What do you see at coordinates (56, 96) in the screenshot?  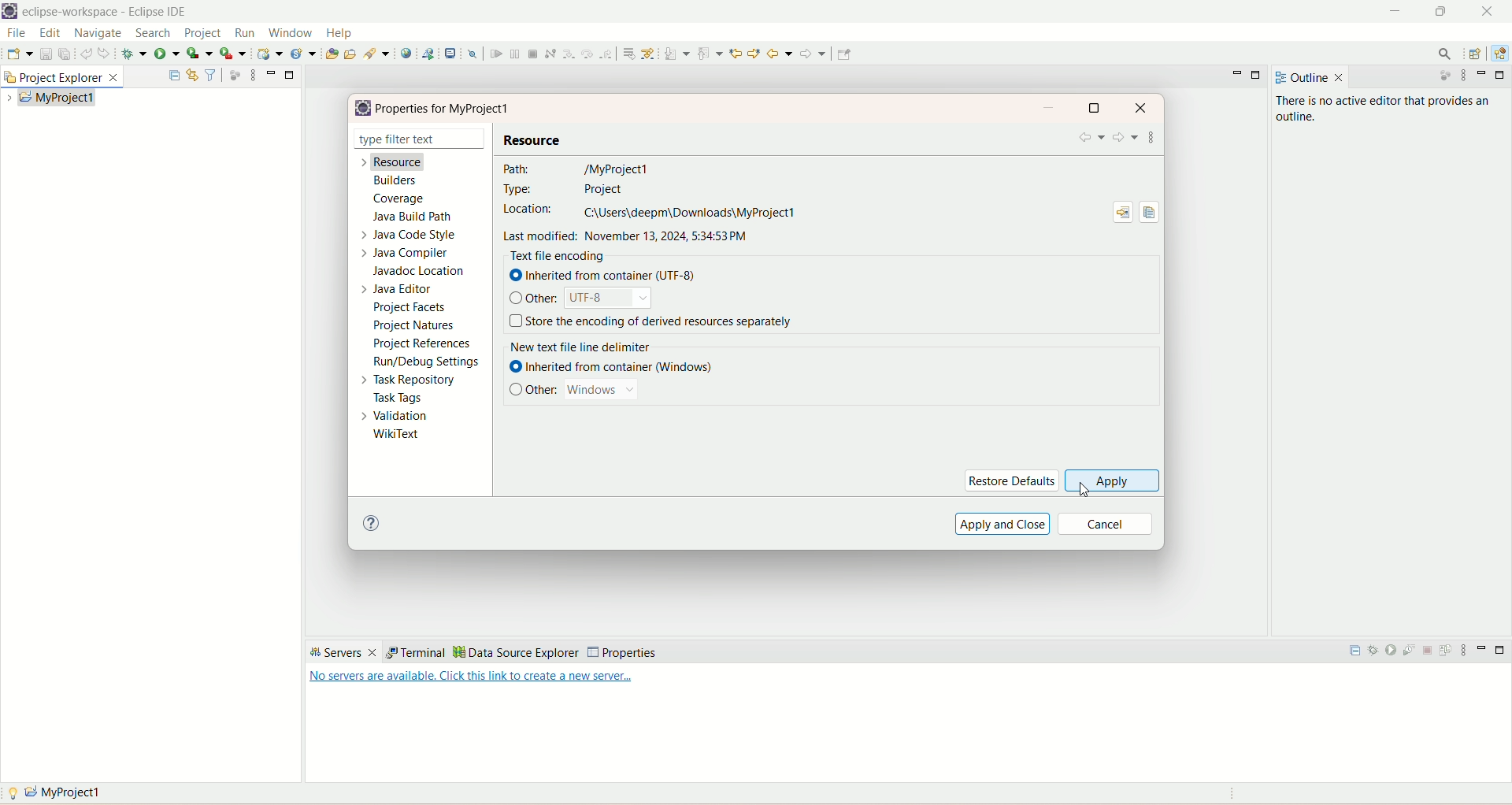 I see `my project` at bounding box center [56, 96].